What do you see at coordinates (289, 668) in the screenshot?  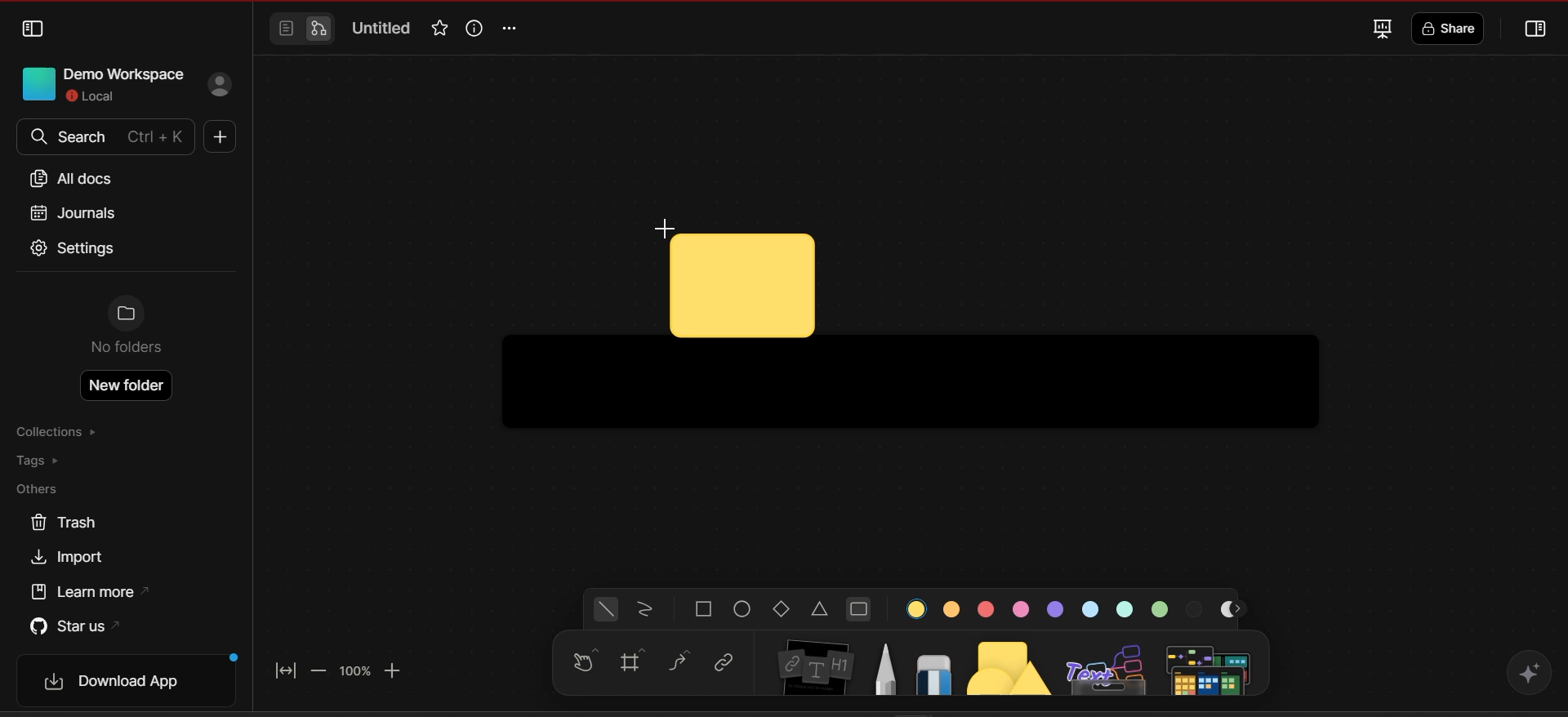 I see `fit to screen` at bounding box center [289, 668].